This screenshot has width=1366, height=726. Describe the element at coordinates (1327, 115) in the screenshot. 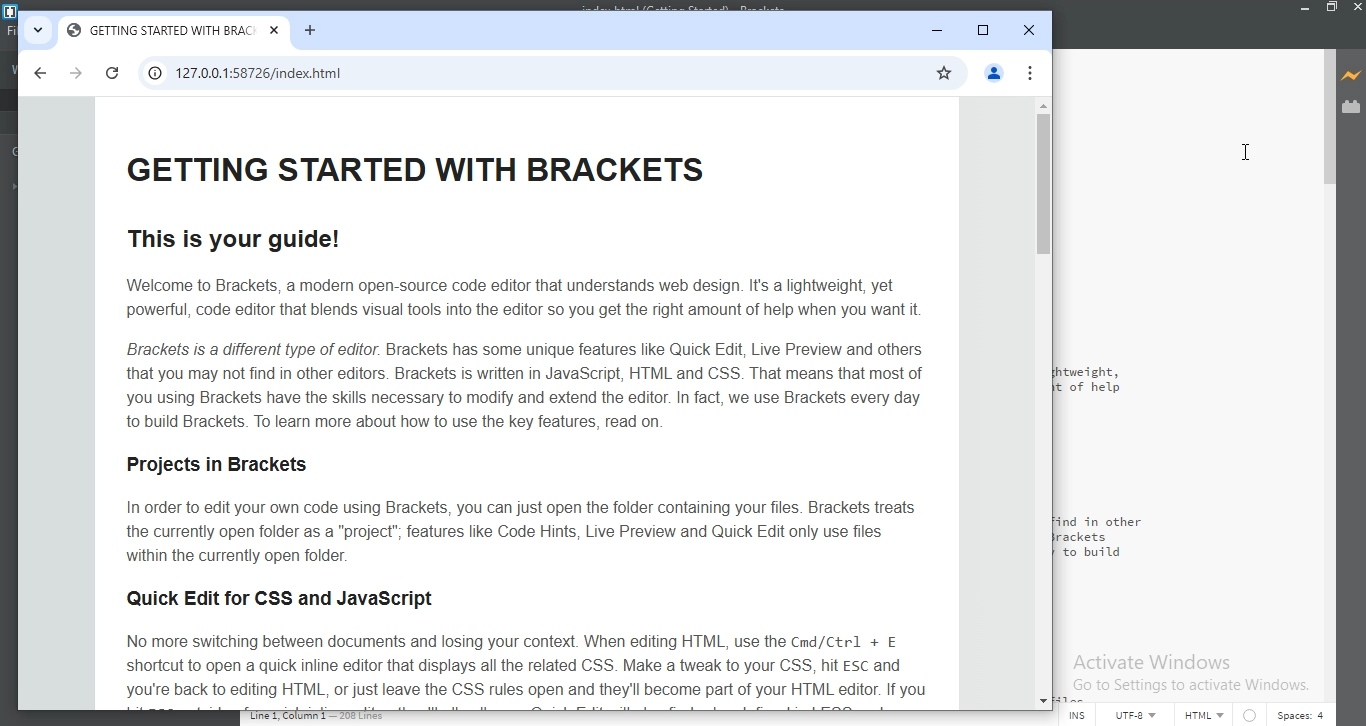

I see `scroll bar` at that location.